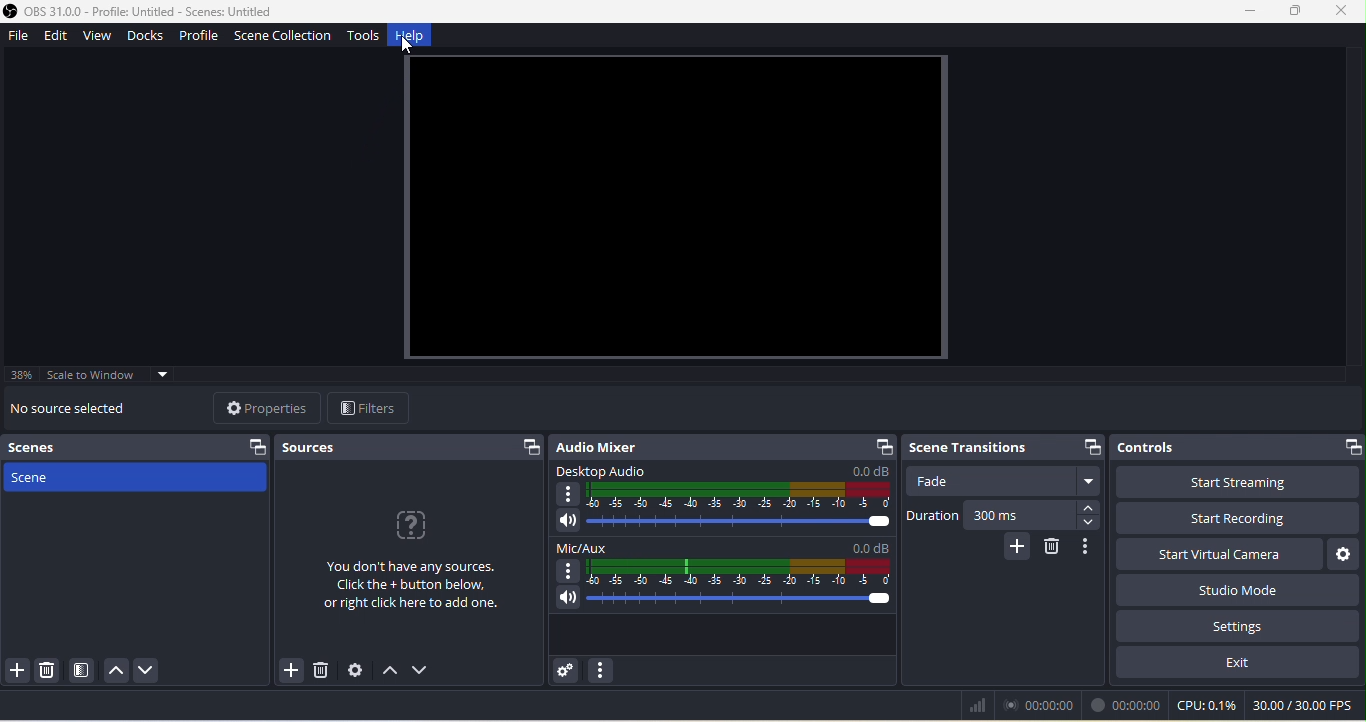 The width and height of the screenshot is (1366, 722). What do you see at coordinates (1055, 549) in the screenshot?
I see `remove` at bounding box center [1055, 549].